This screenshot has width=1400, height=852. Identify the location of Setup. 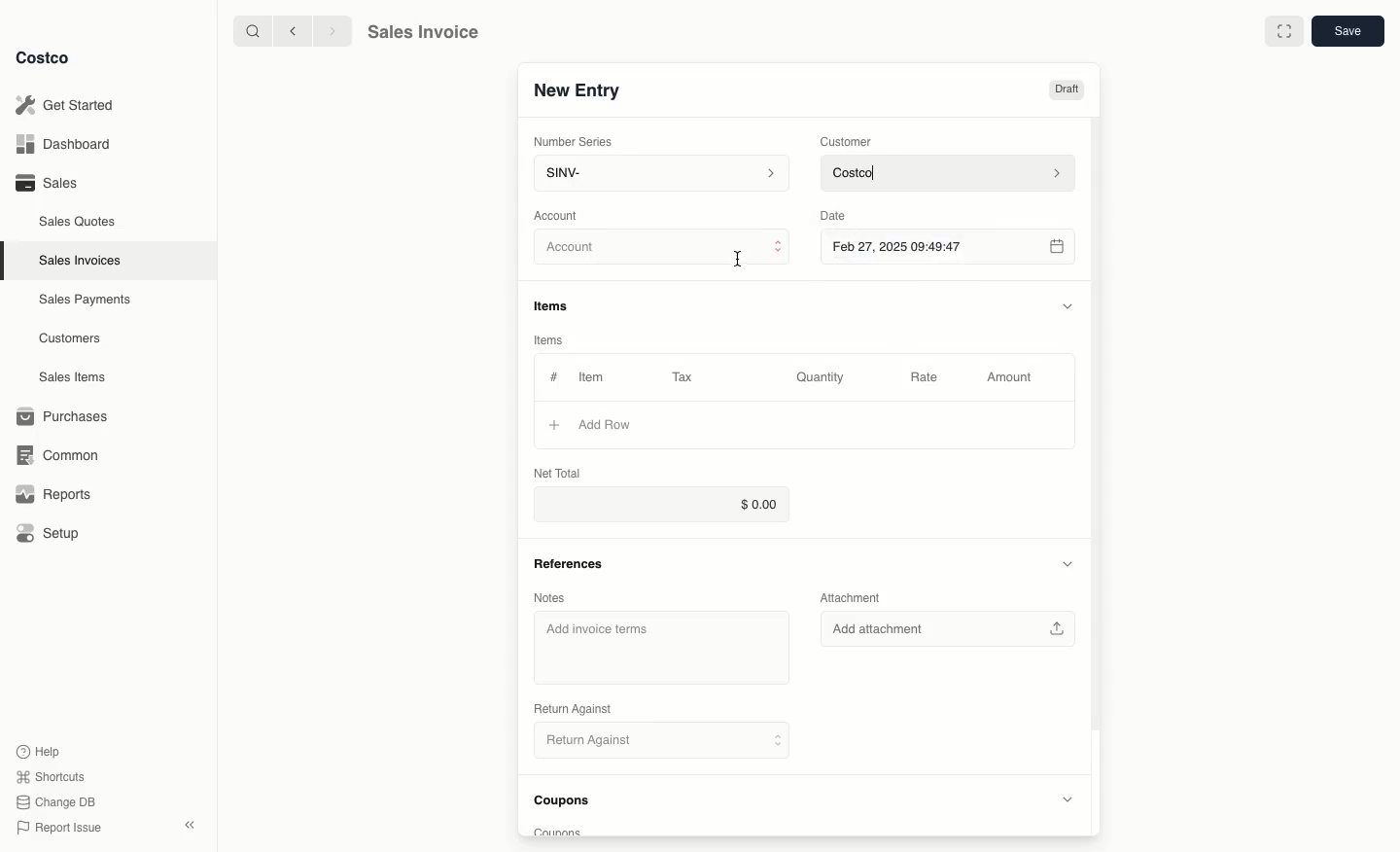
(50, 535).